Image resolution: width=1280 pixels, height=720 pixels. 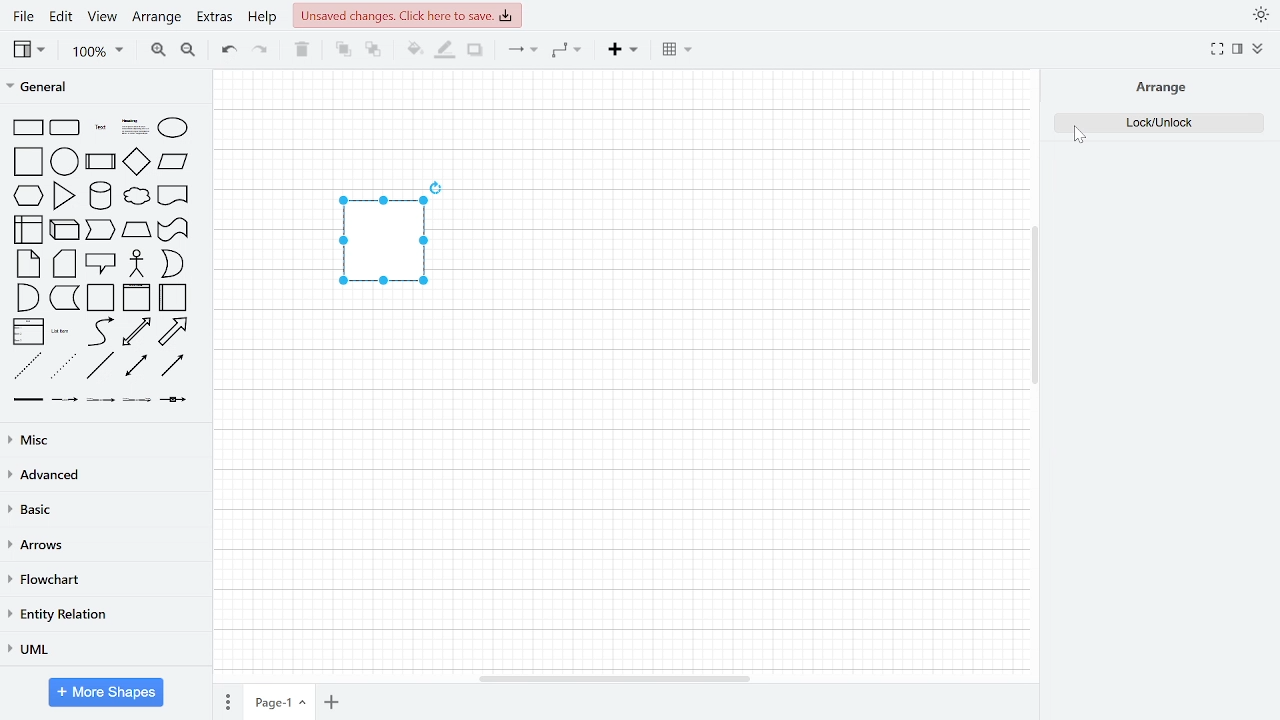 I want to click on card, so click(x=65, y=264).